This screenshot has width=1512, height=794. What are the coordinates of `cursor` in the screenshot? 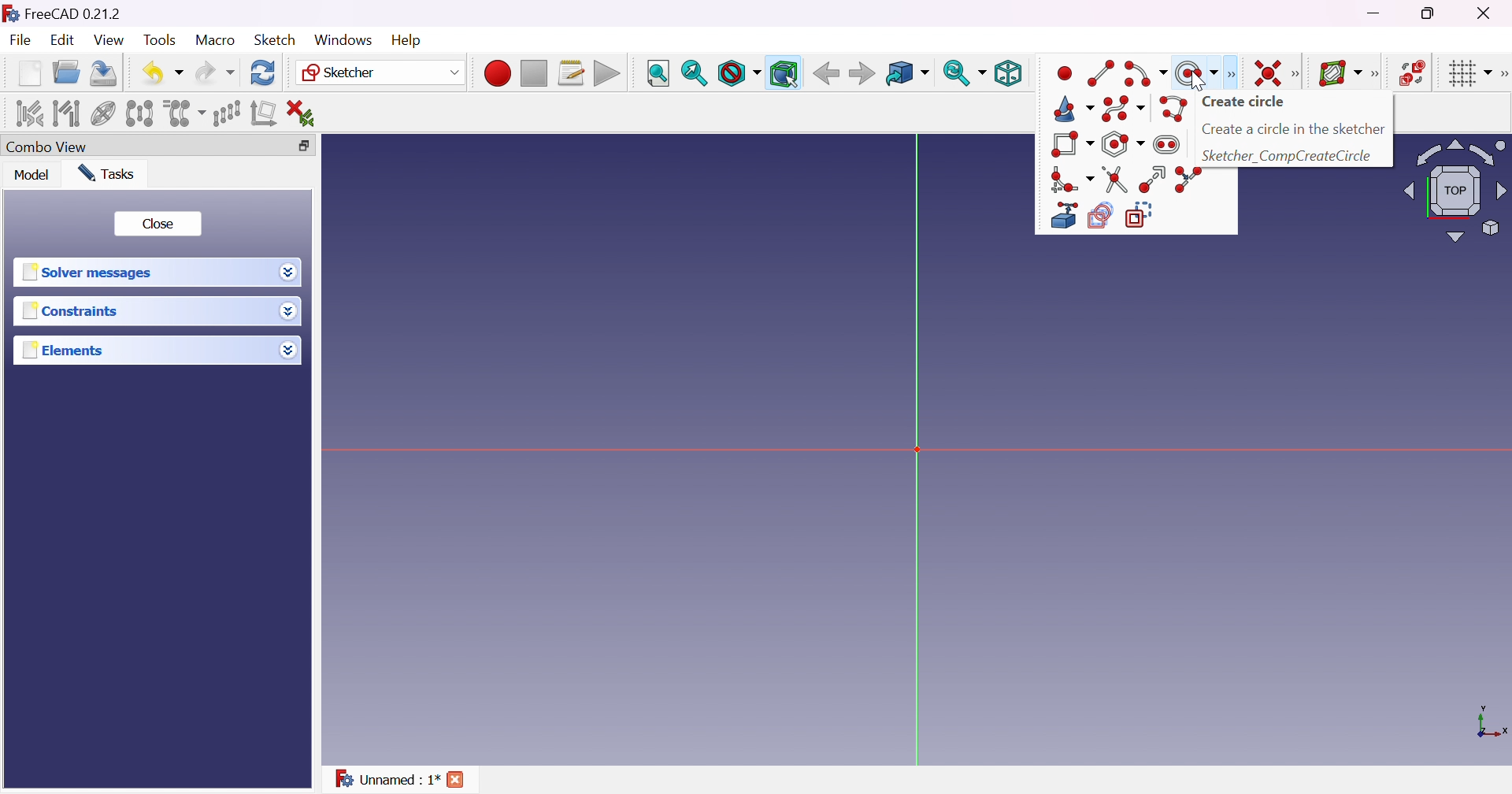 It's located at (1197, 80).